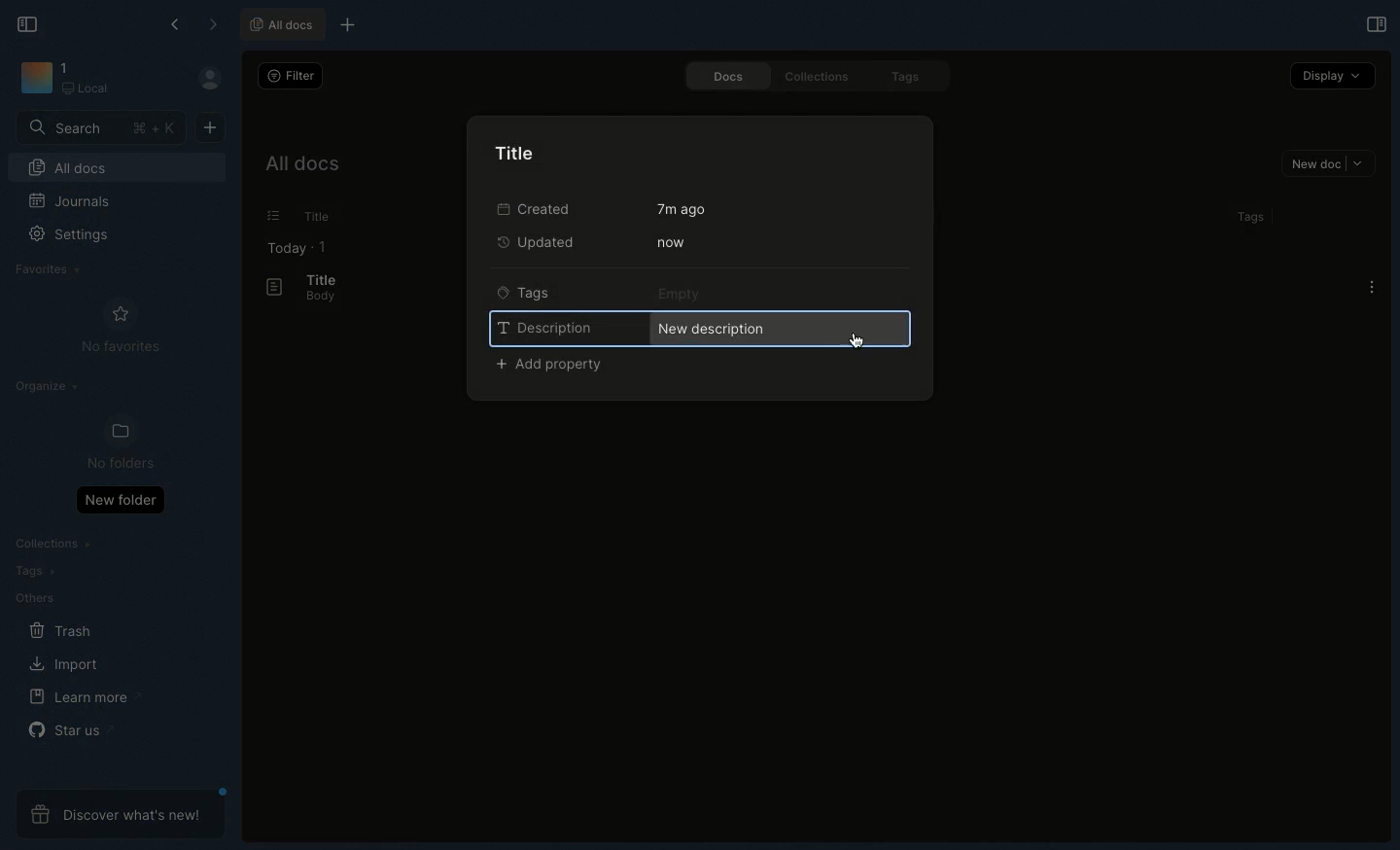  I want to click on Add property, so click(550, 366).